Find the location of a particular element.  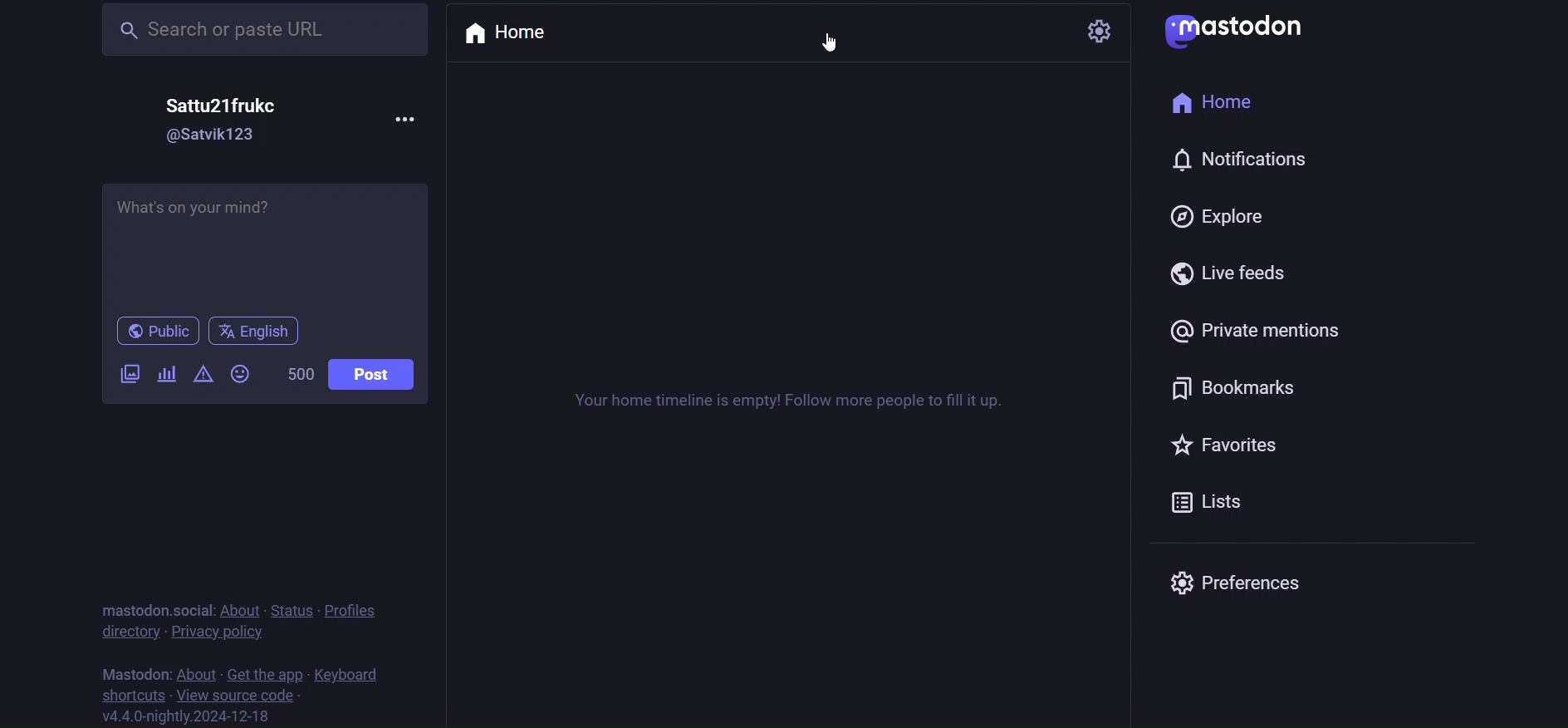

cursor is located at coordinates (840, 44).